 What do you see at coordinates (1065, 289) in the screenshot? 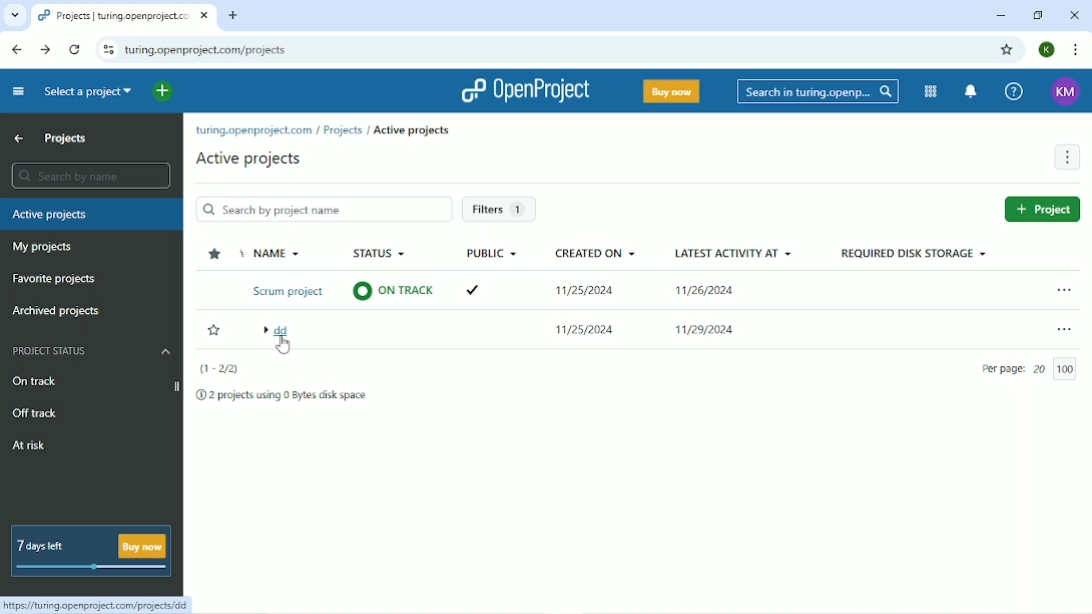
I see `Open menu` at bounding box center [1065, 289].